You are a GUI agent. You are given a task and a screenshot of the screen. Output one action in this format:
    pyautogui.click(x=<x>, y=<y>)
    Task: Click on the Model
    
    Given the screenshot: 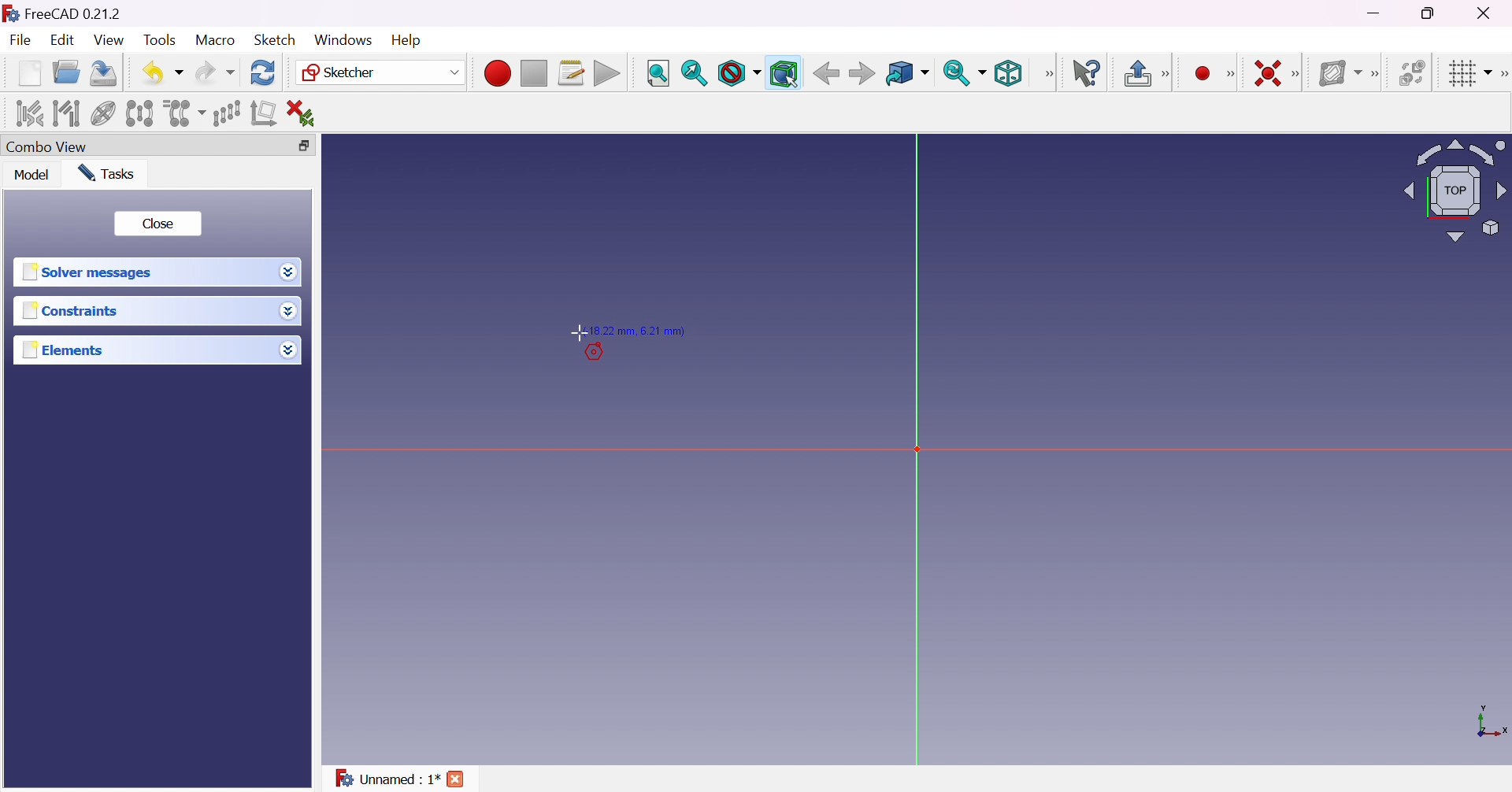 What is the action you would take?
    pyautogui.click(x=33, y=174)
    